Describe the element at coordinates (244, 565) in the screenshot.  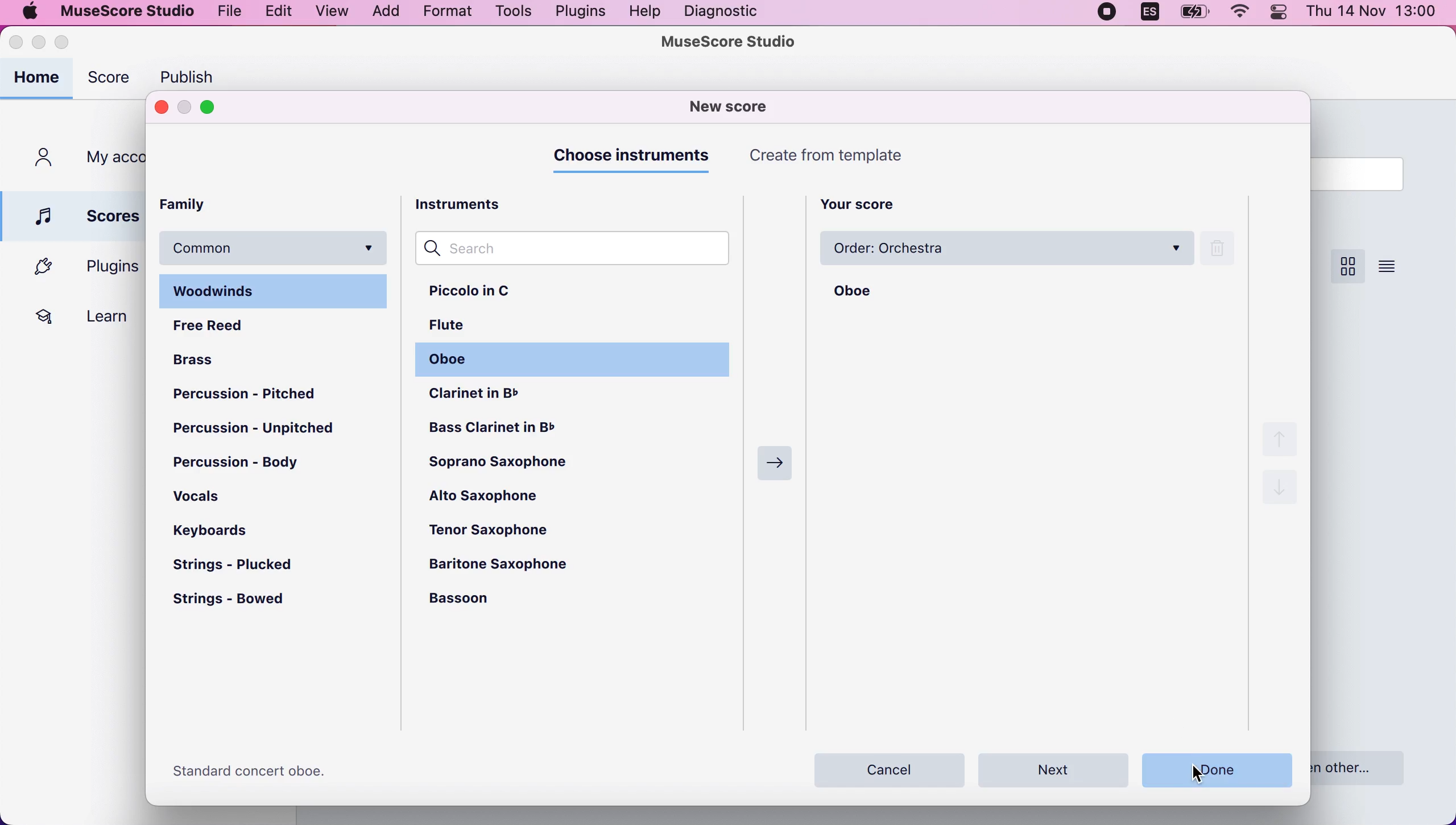
I see `strings-plucked` at that location.